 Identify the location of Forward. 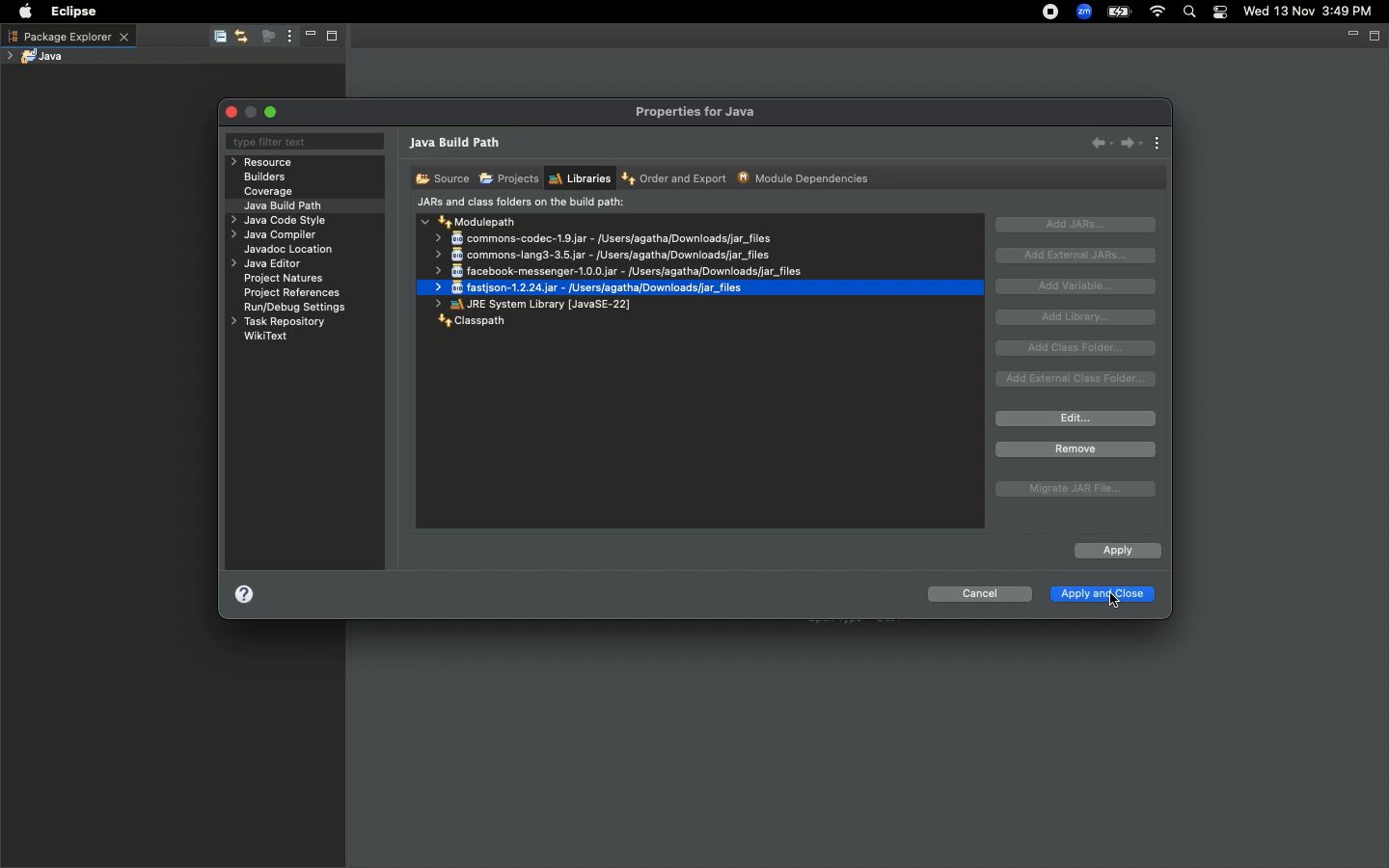
(1131, 143).